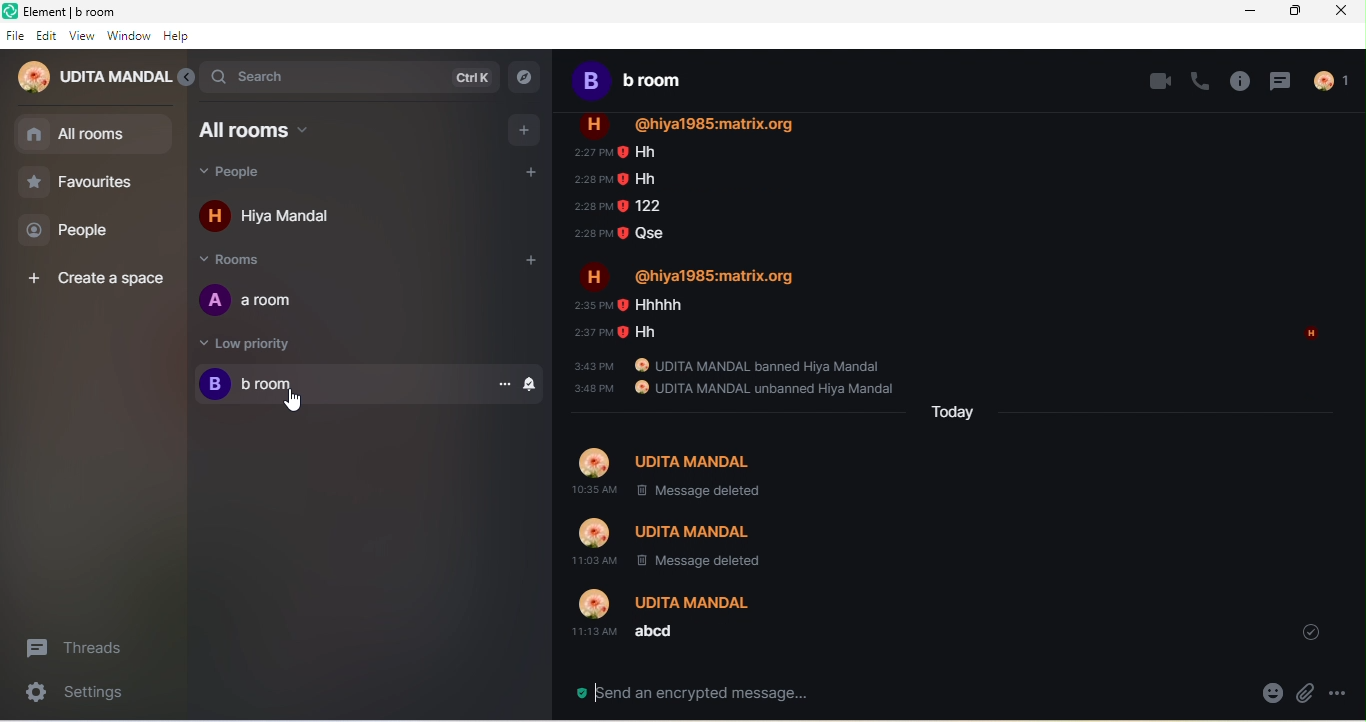  Describe the element at coordinates (534, 384) in the screenshot. I see `notification` at that location.